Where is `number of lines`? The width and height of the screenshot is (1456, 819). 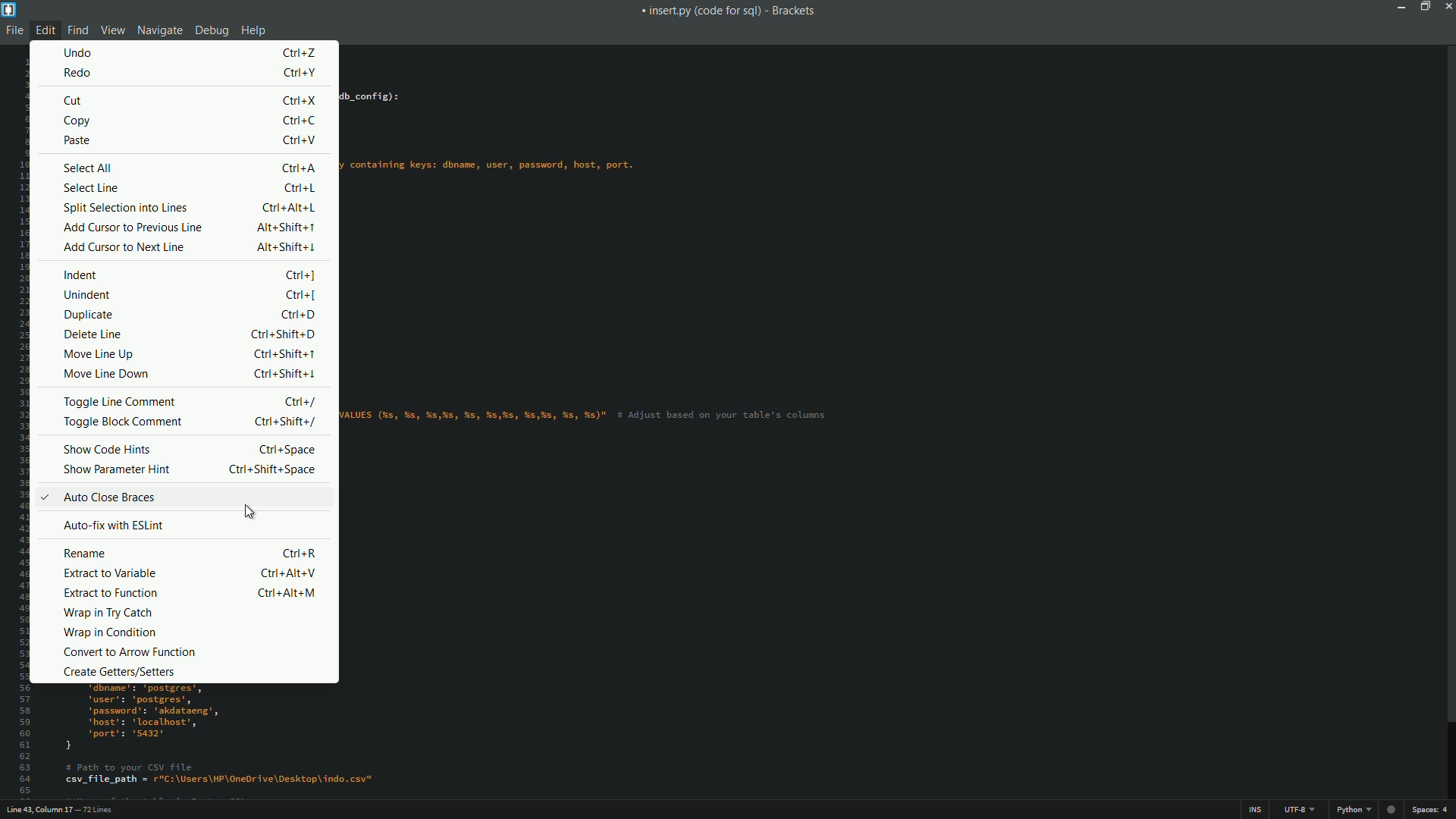 number of lines is located at coordinates (98, 811).